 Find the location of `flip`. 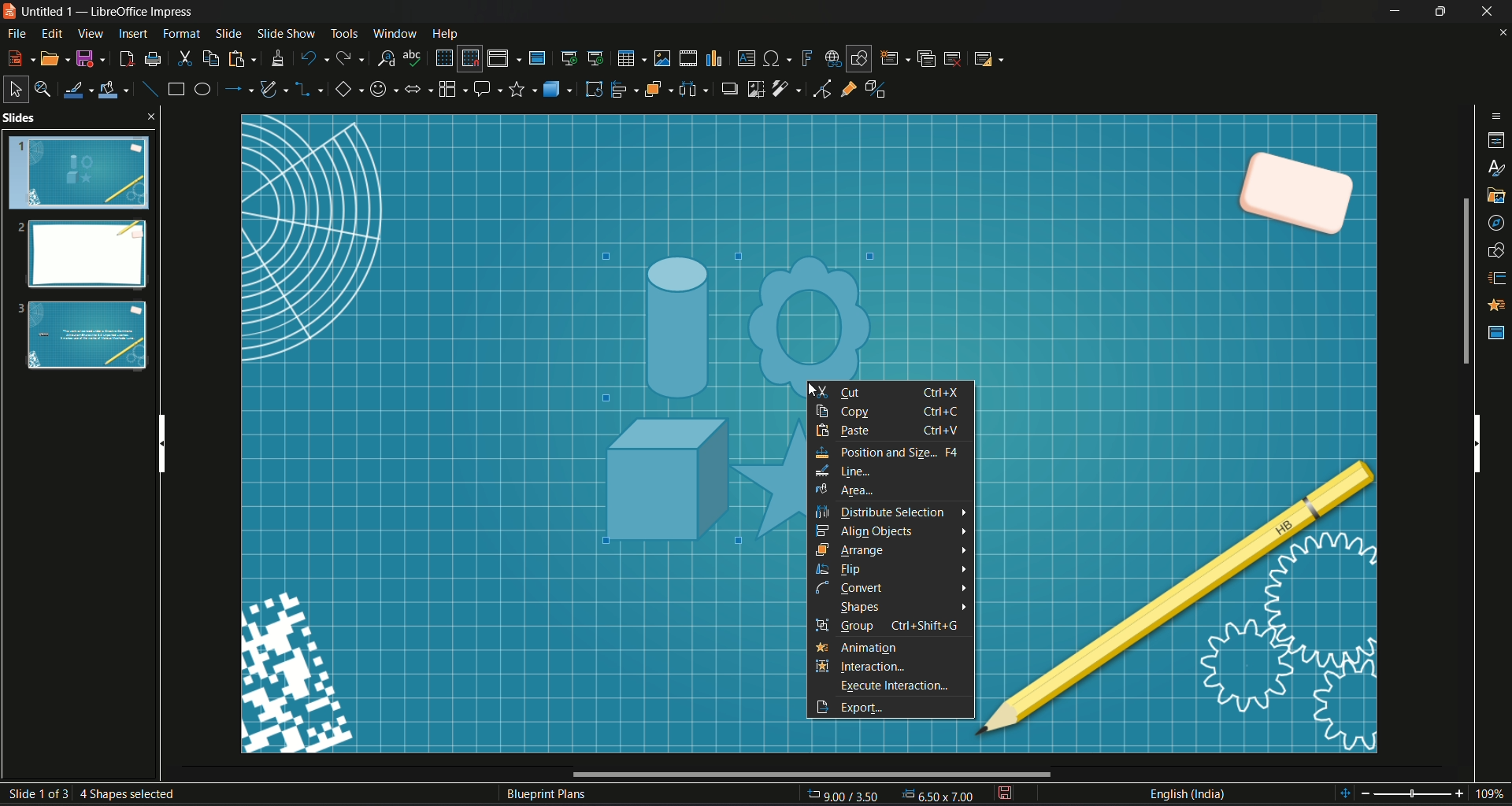

flip is located at coordinates (842, 569).